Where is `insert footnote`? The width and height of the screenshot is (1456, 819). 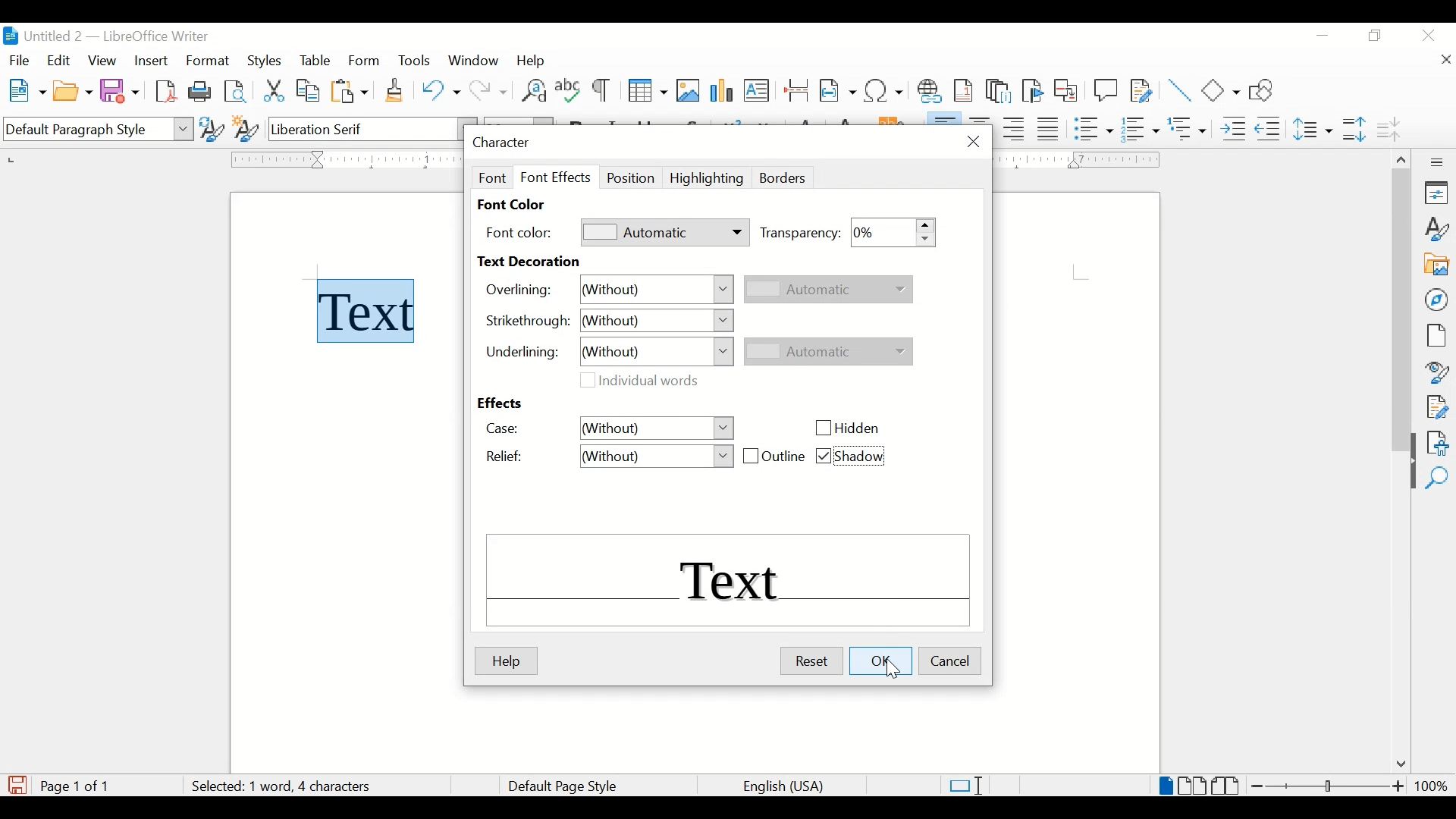 insert footnote is located at coordinates (966, 90).